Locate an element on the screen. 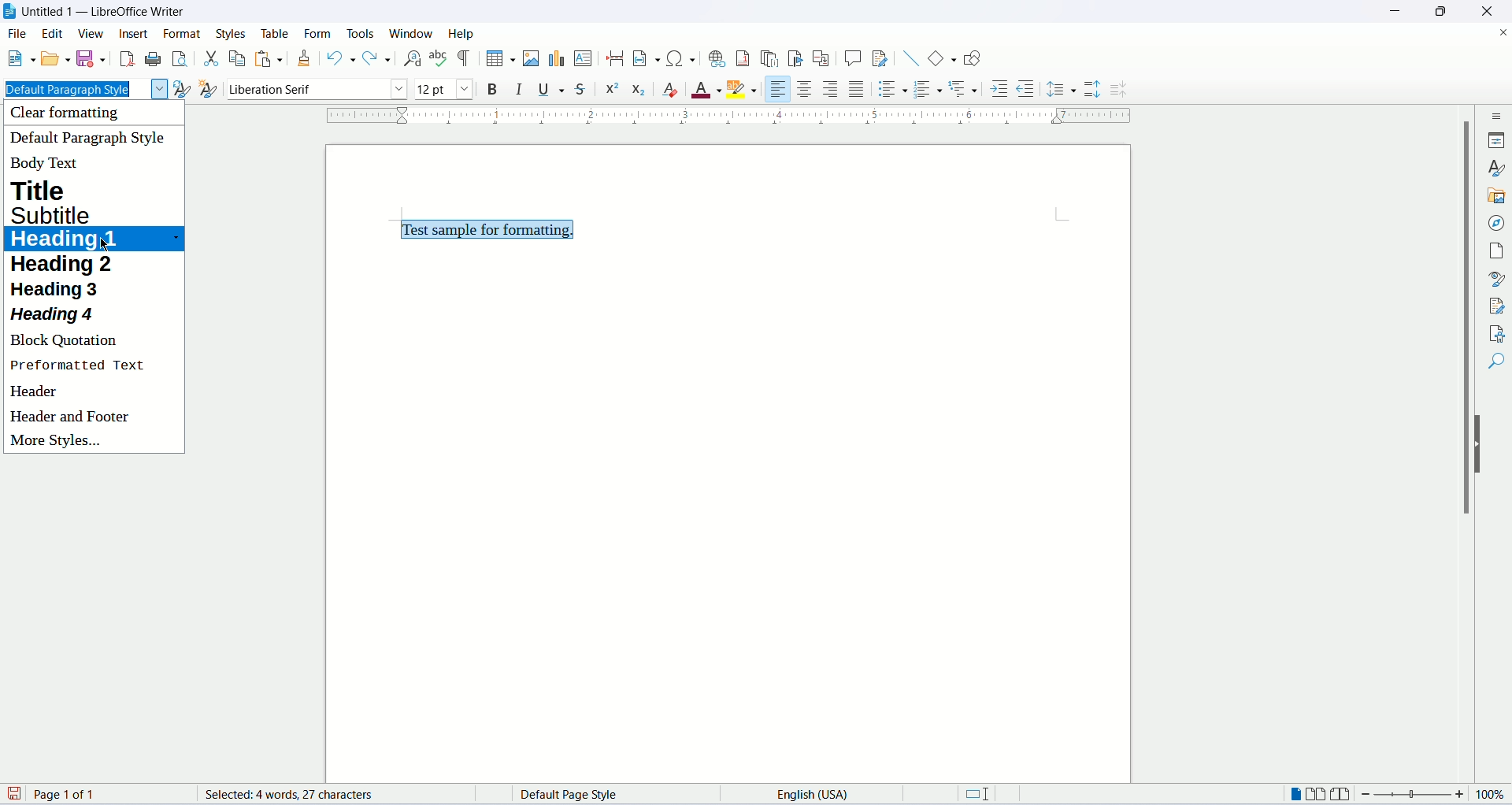  save is located at coordinates (92, 59).